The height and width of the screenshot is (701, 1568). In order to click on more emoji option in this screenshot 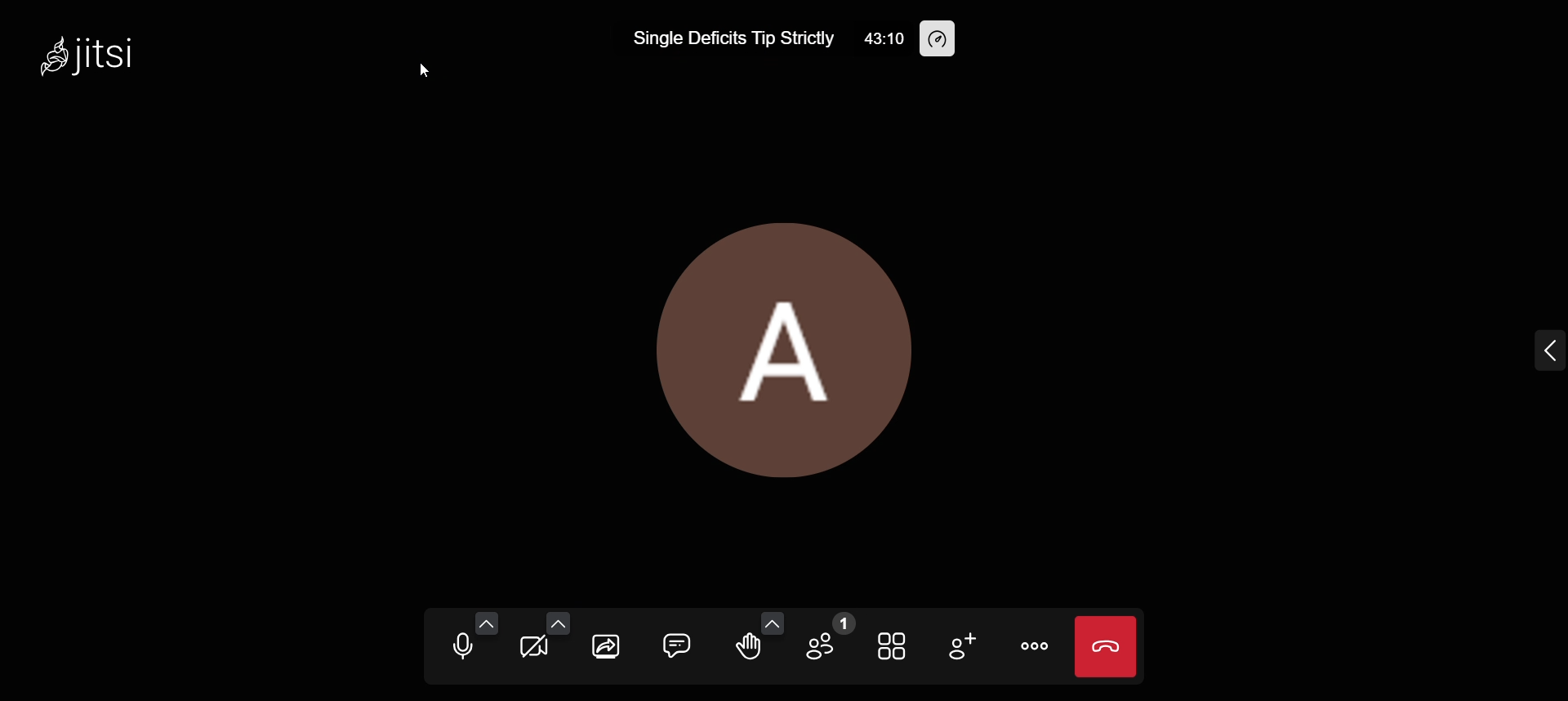, I will do `click(770, 624)`.